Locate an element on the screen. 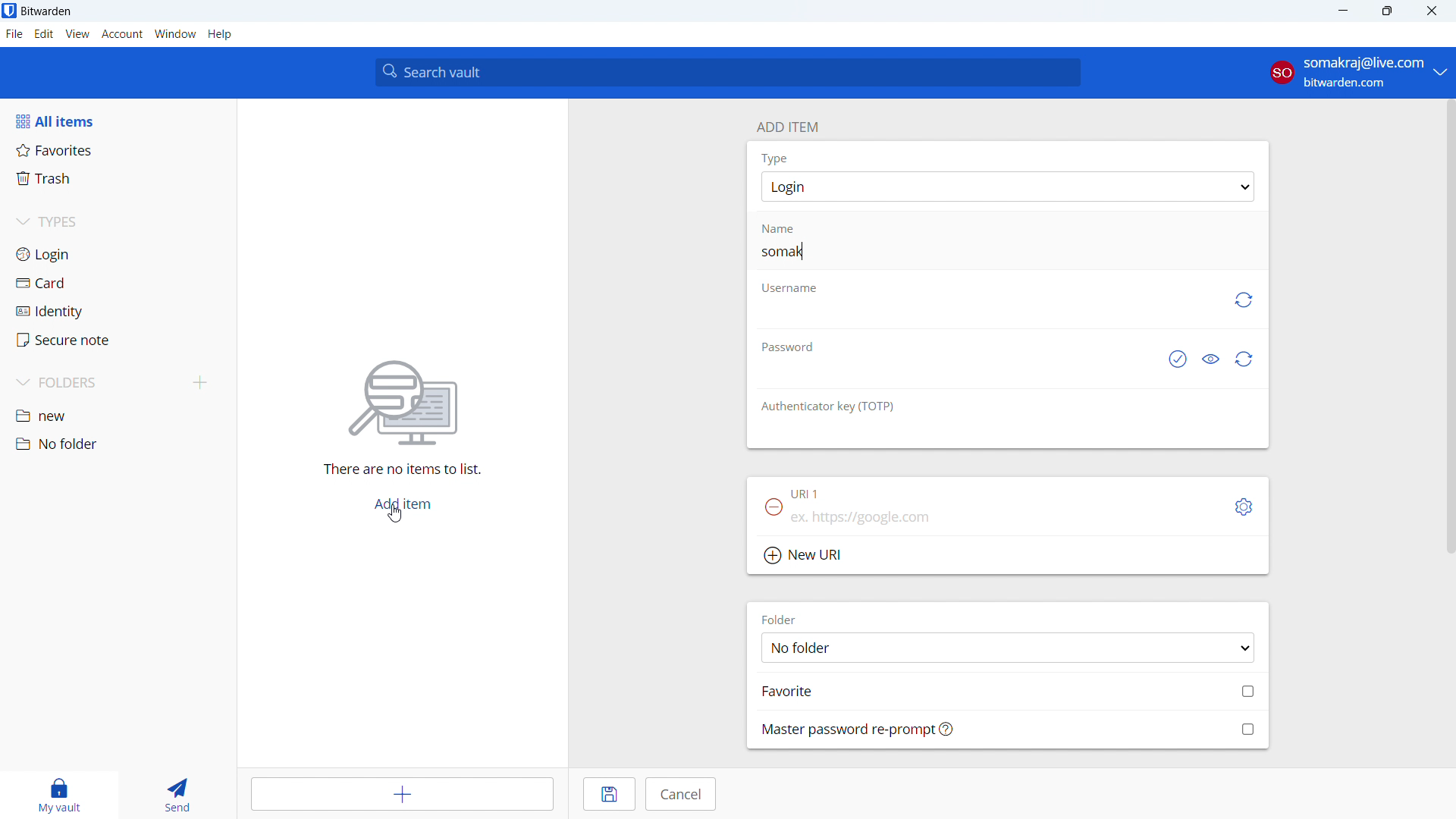  name is located at coordinates (788, 228).